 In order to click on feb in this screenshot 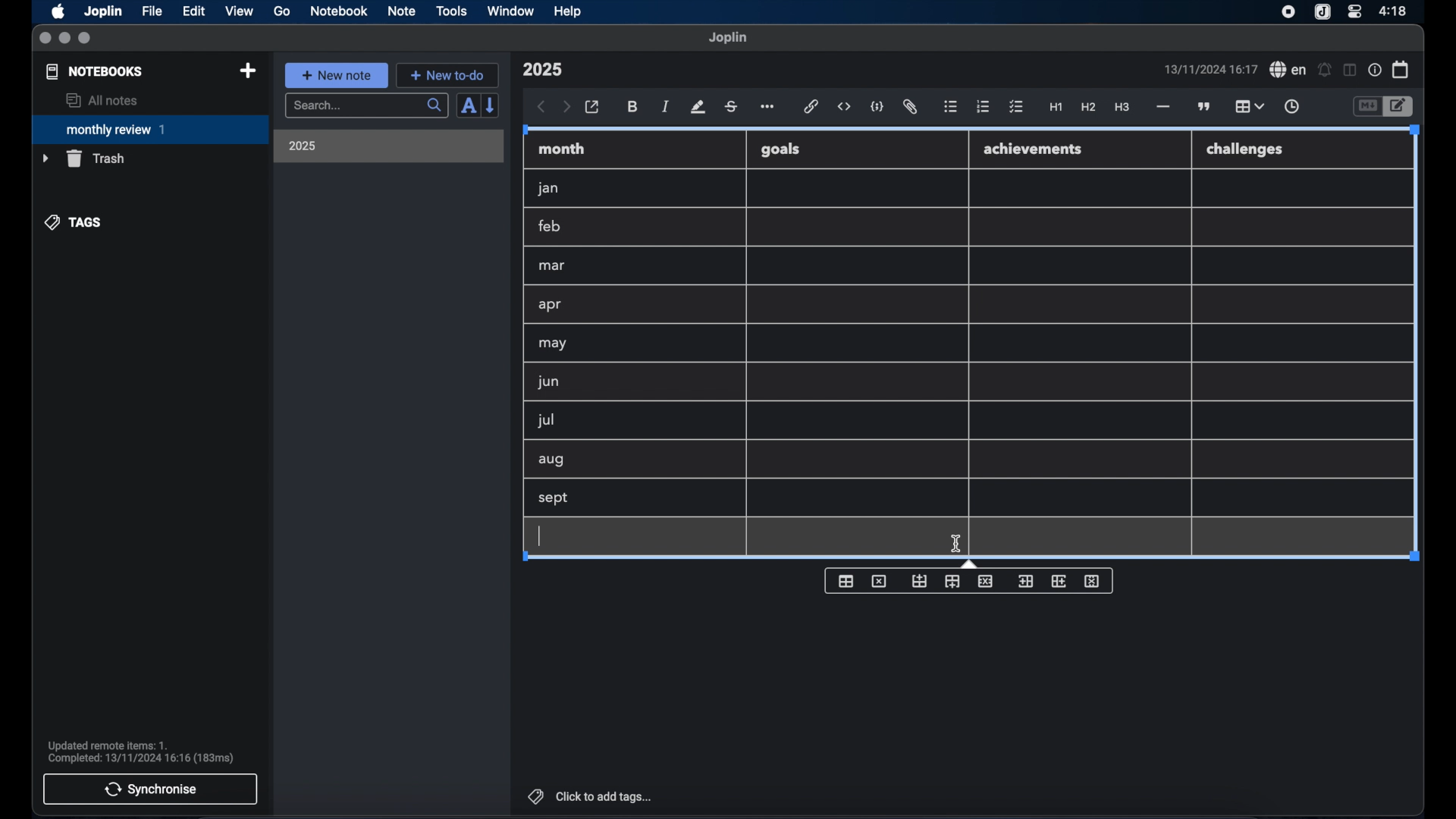, I will do `click(551, 226)`.